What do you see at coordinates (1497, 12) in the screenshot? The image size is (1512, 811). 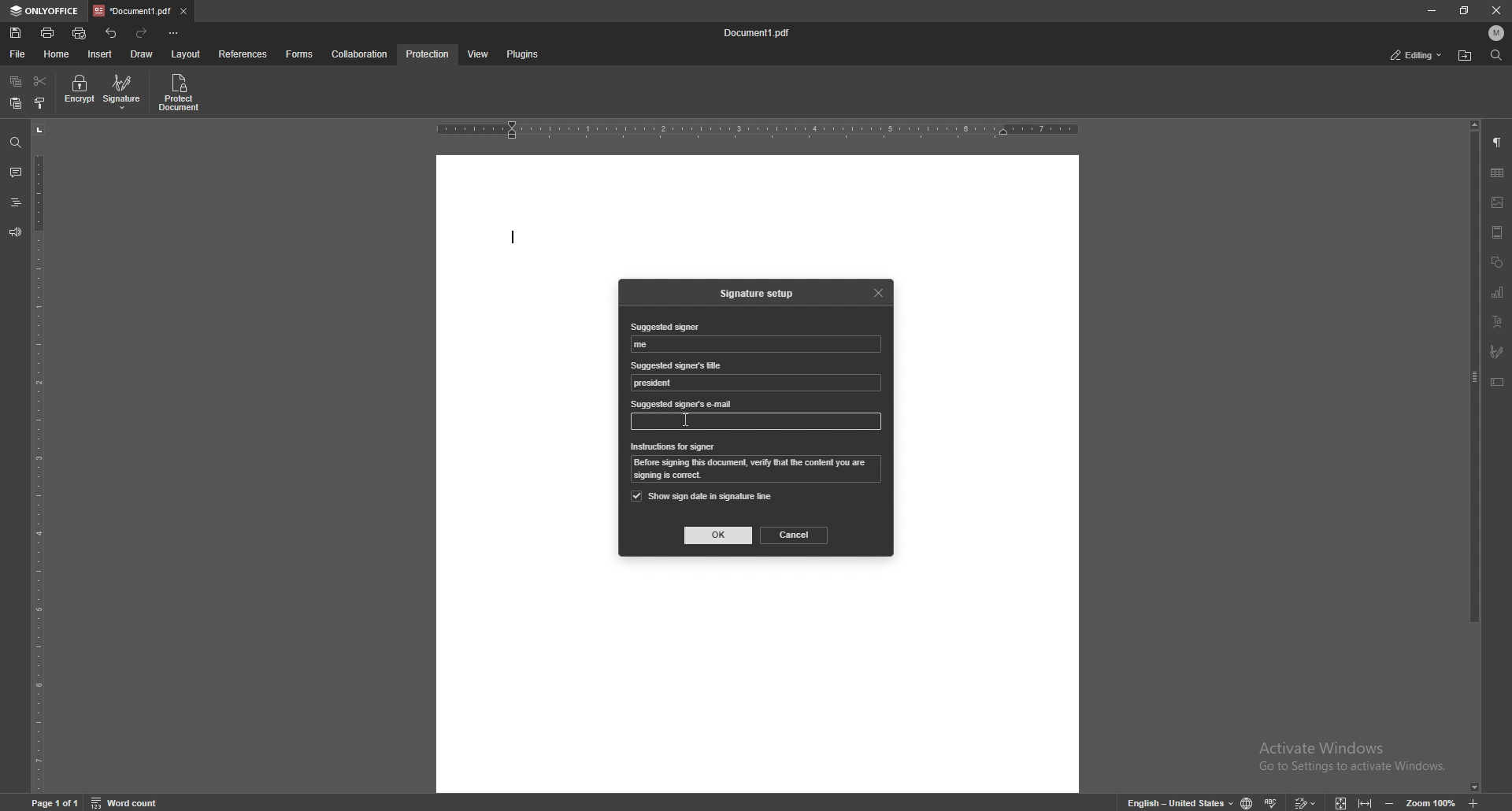 I see `close` at bounding box center [1497, 12].